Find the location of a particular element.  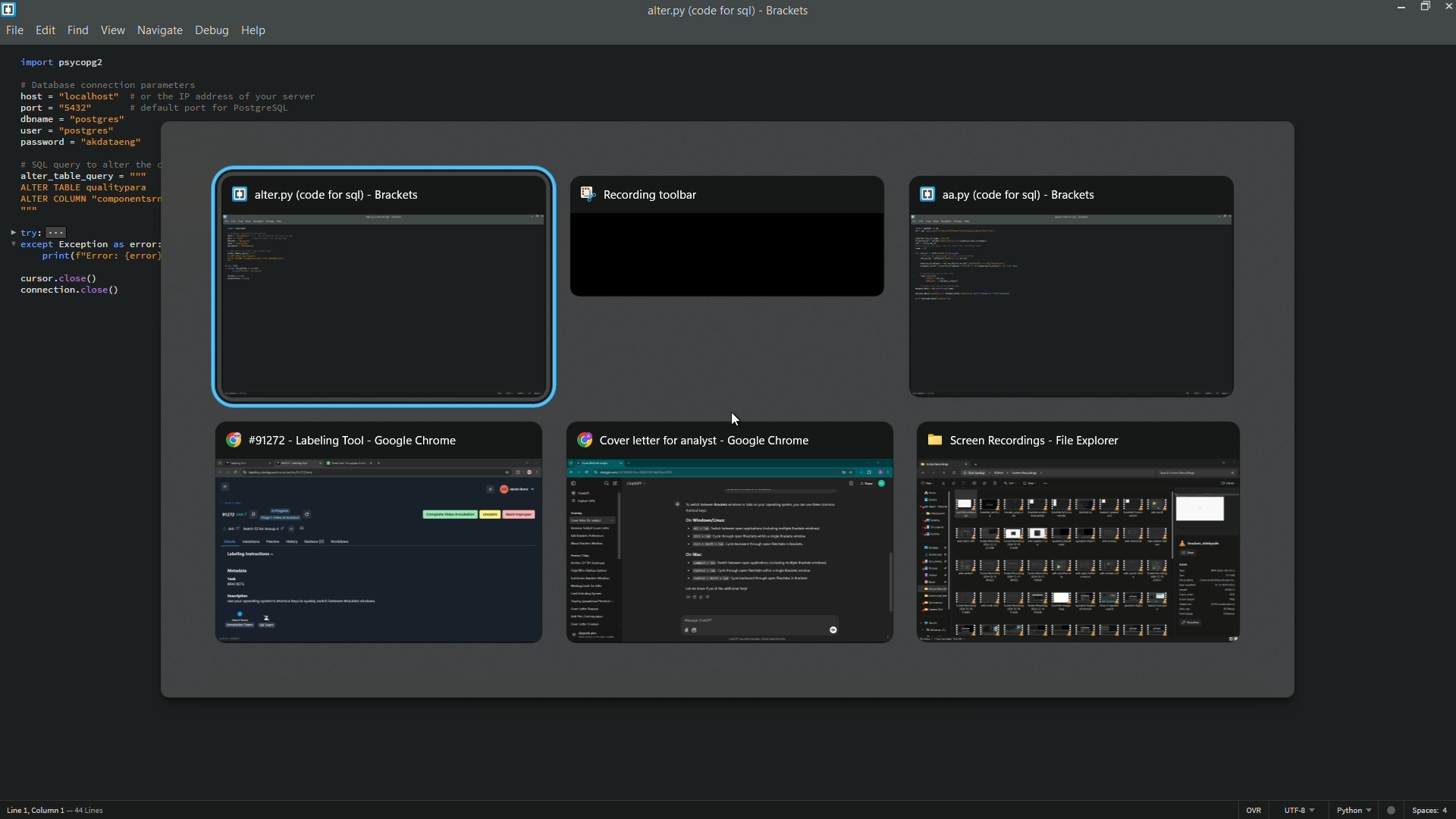

#91272 - labeling tool - Google Chrome  is located at coordinates (379, 532).